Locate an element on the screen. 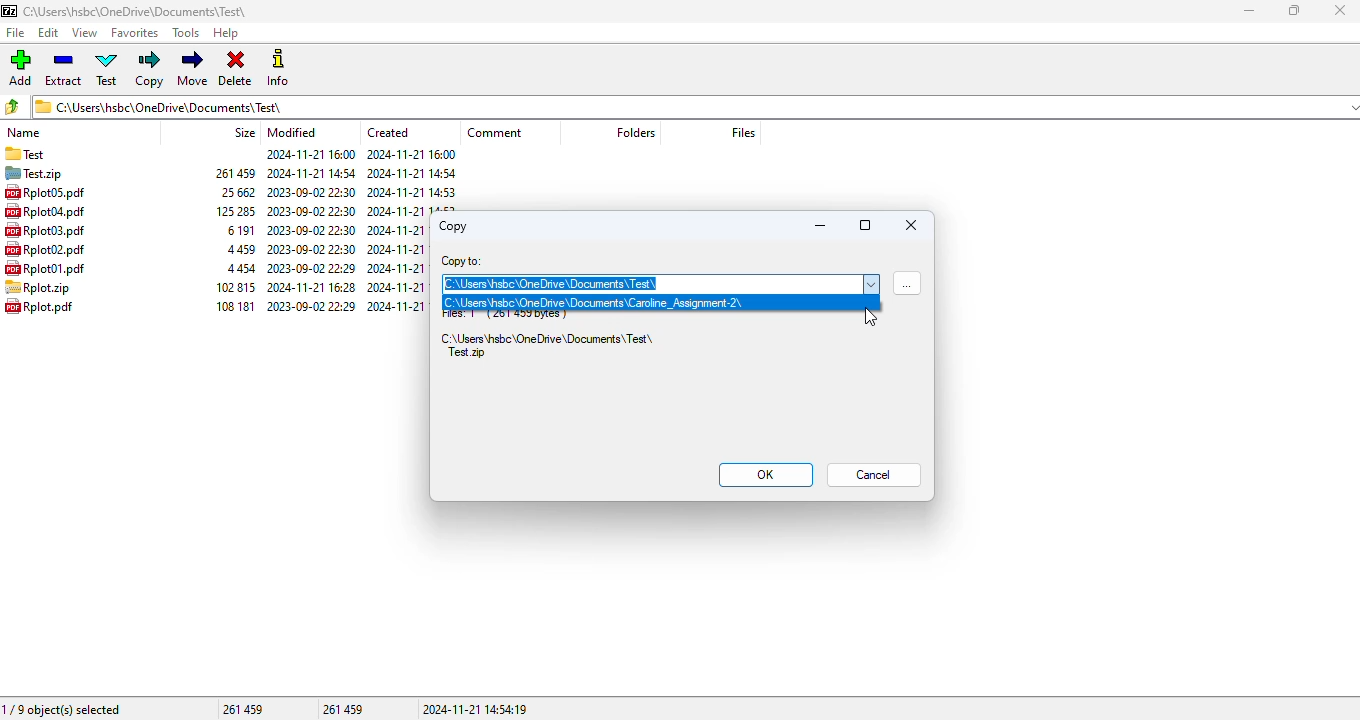  created is located at coordinates (388, 131).